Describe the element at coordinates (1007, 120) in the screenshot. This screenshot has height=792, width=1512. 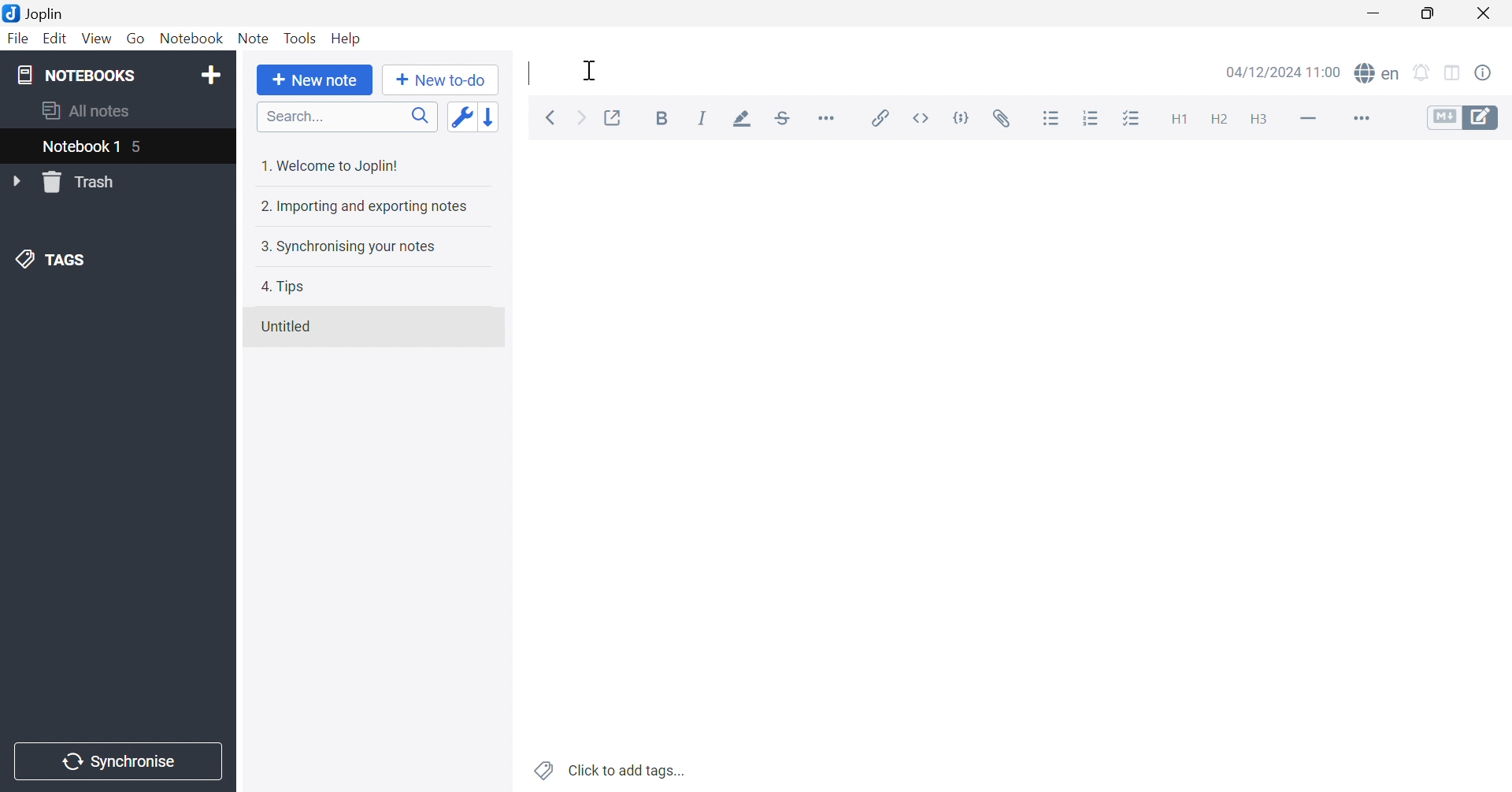
I see `Attach file` at that location.